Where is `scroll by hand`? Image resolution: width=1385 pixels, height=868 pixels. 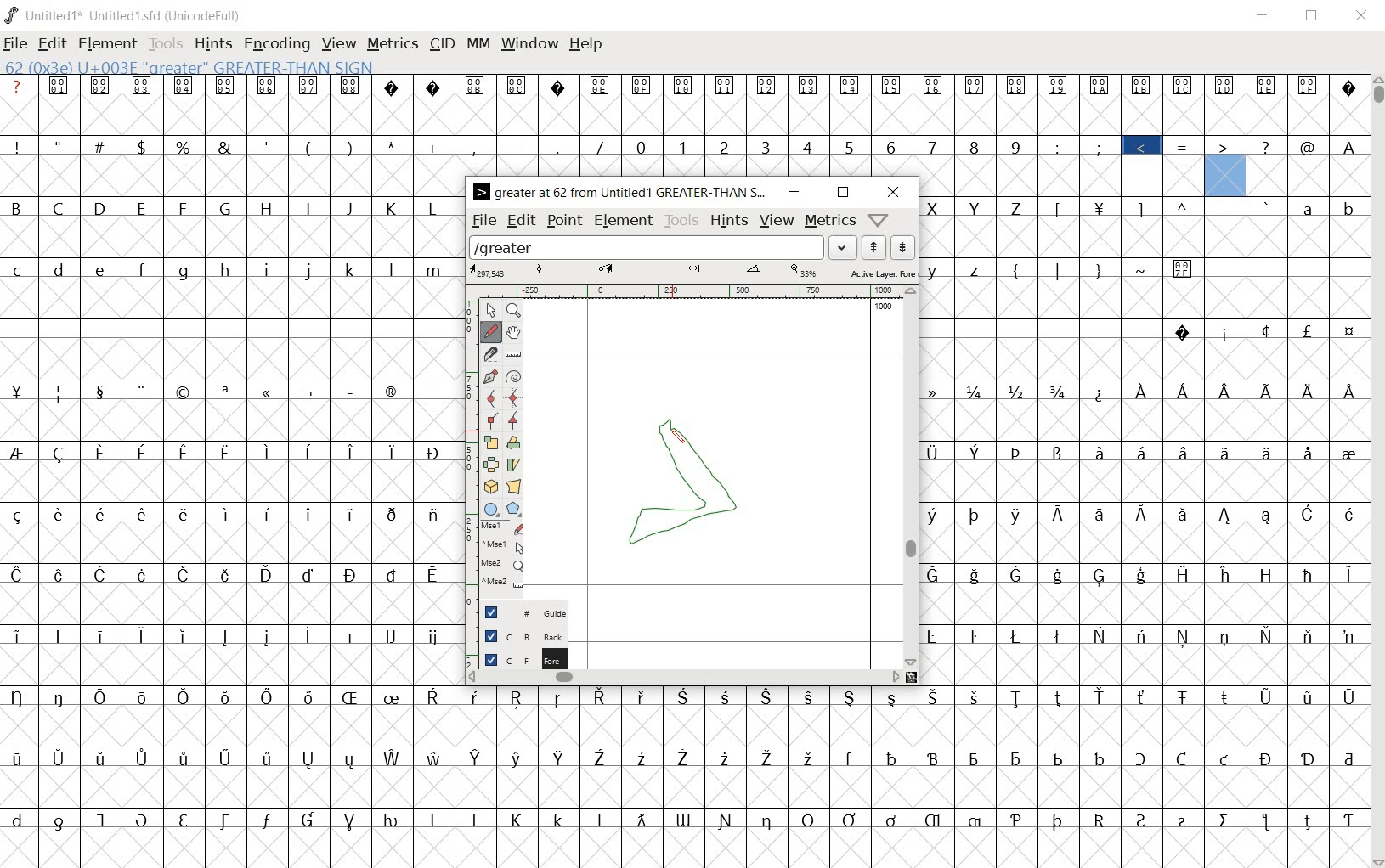
scroll by hand is located at coordinates (512, 332).